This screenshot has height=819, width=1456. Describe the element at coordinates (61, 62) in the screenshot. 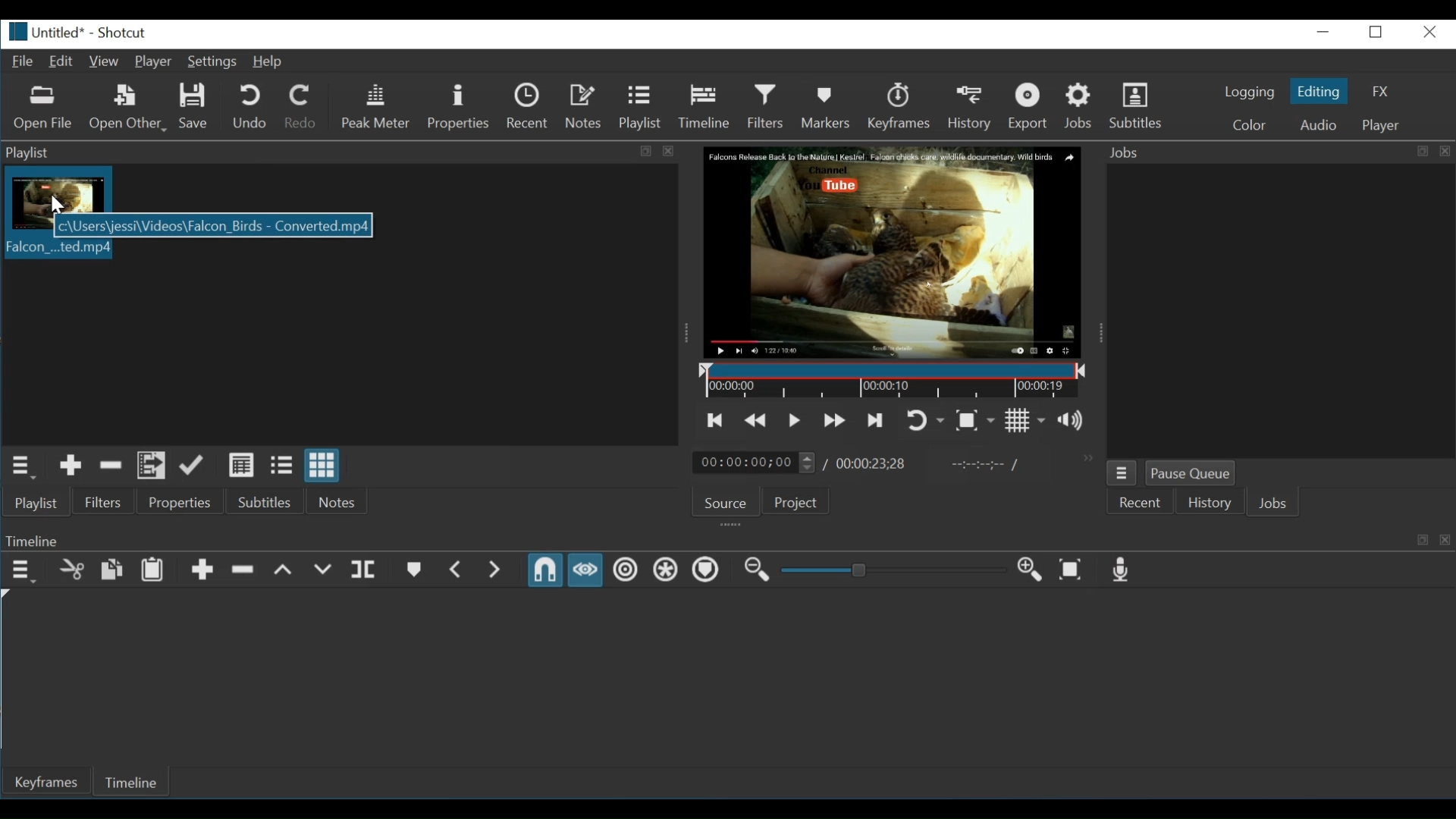

I see `Edit` at that location.